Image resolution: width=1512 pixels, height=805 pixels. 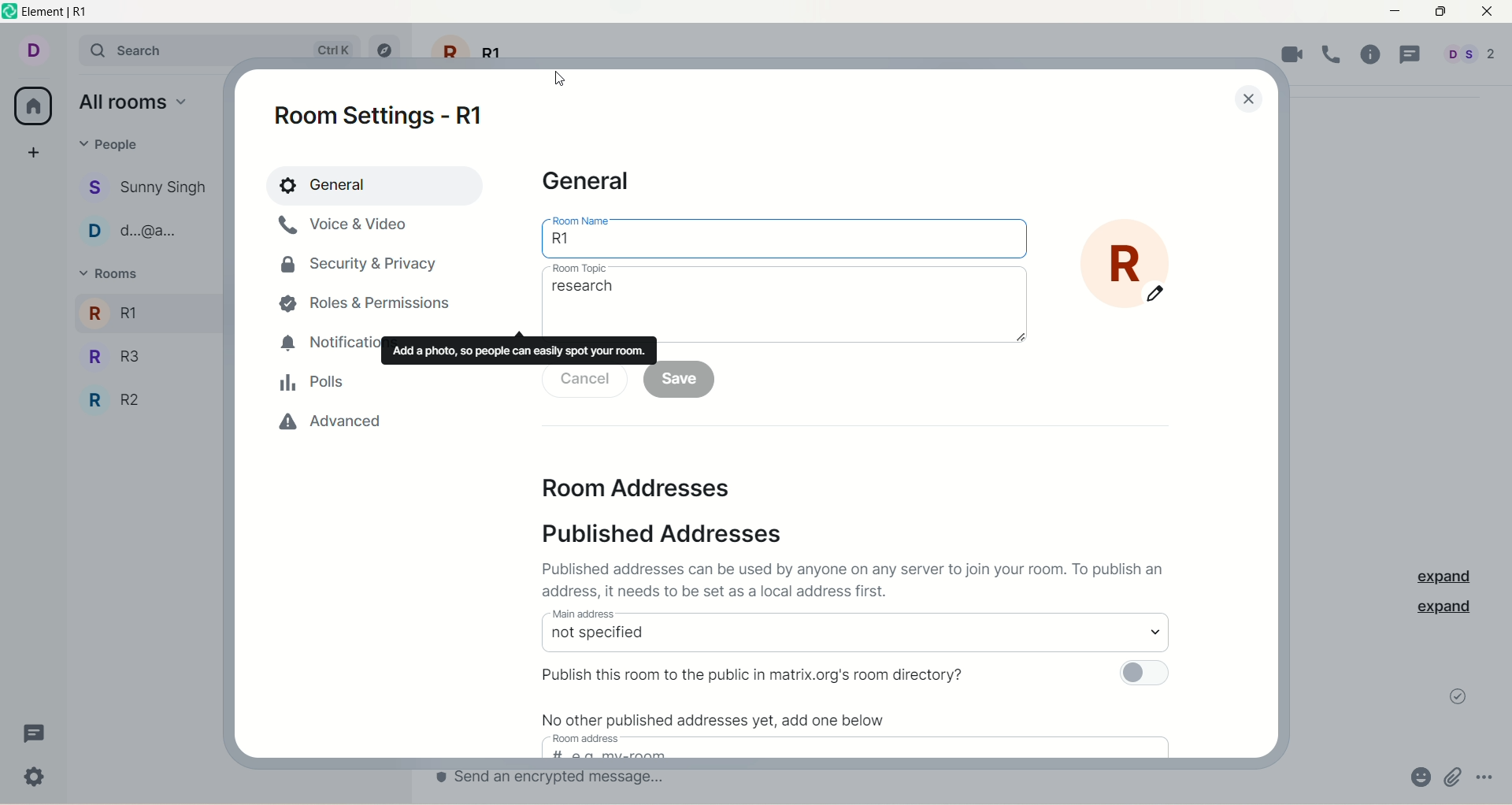 I want to click on toggle button, so click(x=1154, y=675).